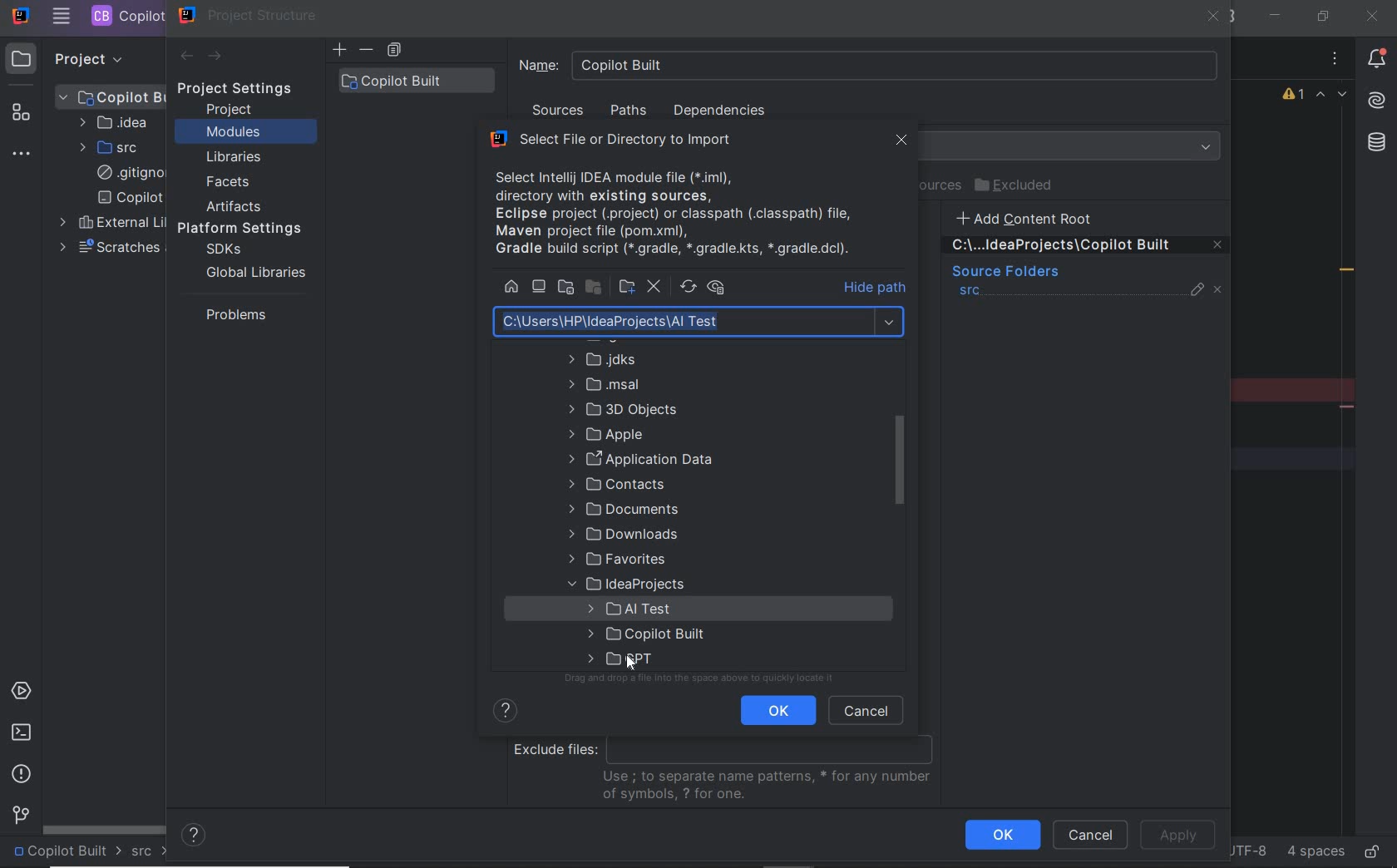 This screenshot has height=868, width=1397. Describe the element at coordinates (539, 287) in the screenshot. I see `desktop directory` at that location.